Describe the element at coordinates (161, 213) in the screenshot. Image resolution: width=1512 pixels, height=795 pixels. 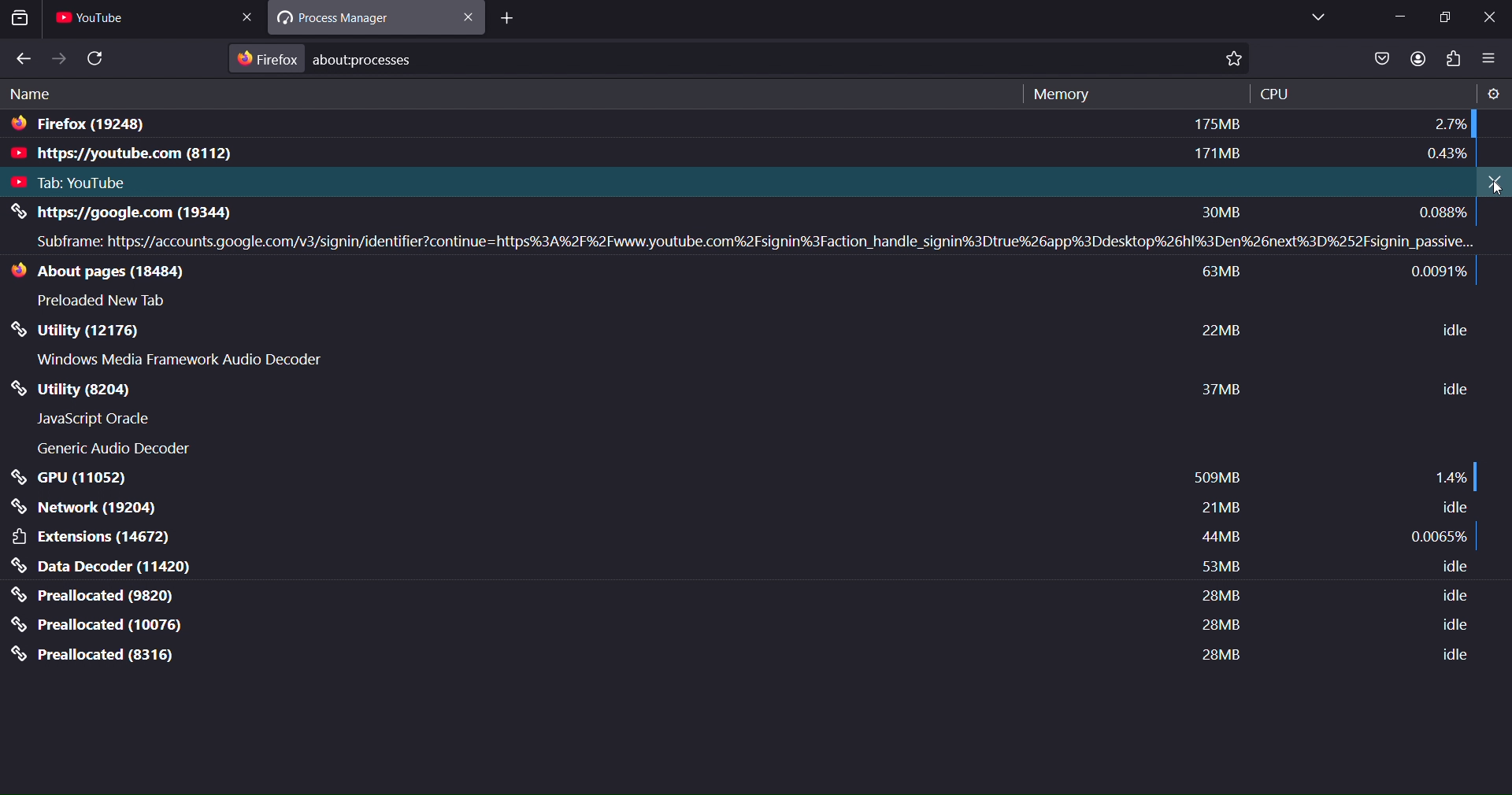
I see `https:/google.com(19344)` at that location.